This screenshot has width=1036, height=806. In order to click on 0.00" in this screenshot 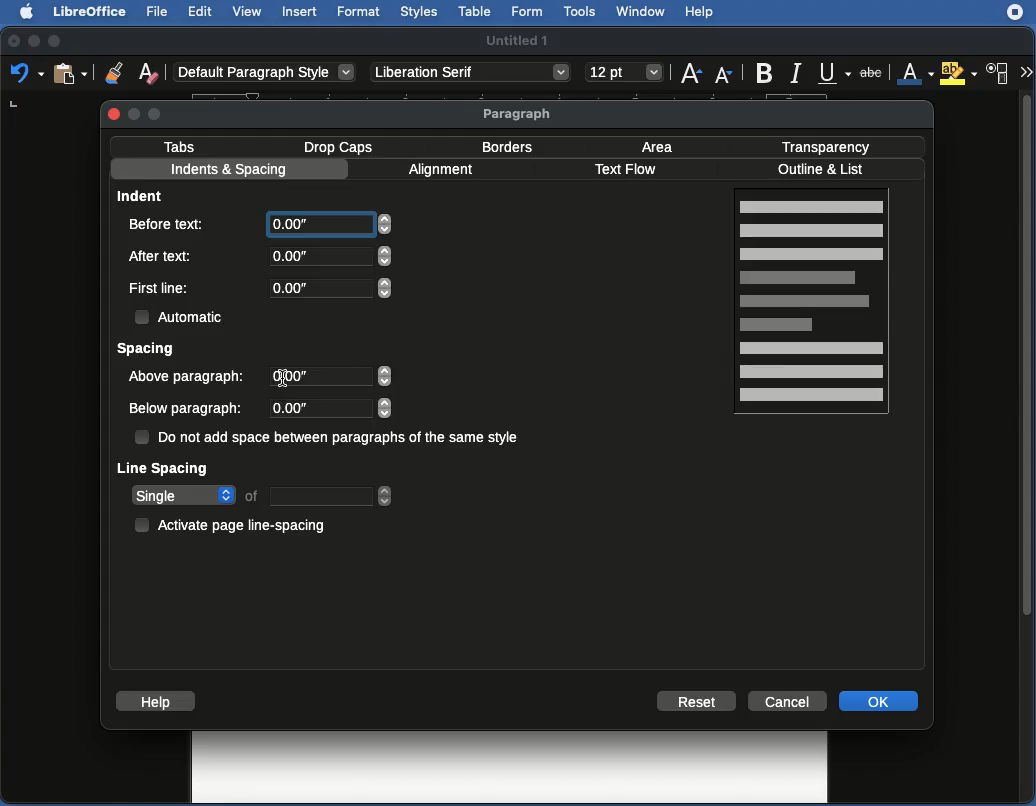, I will do `click(332, 228)`.